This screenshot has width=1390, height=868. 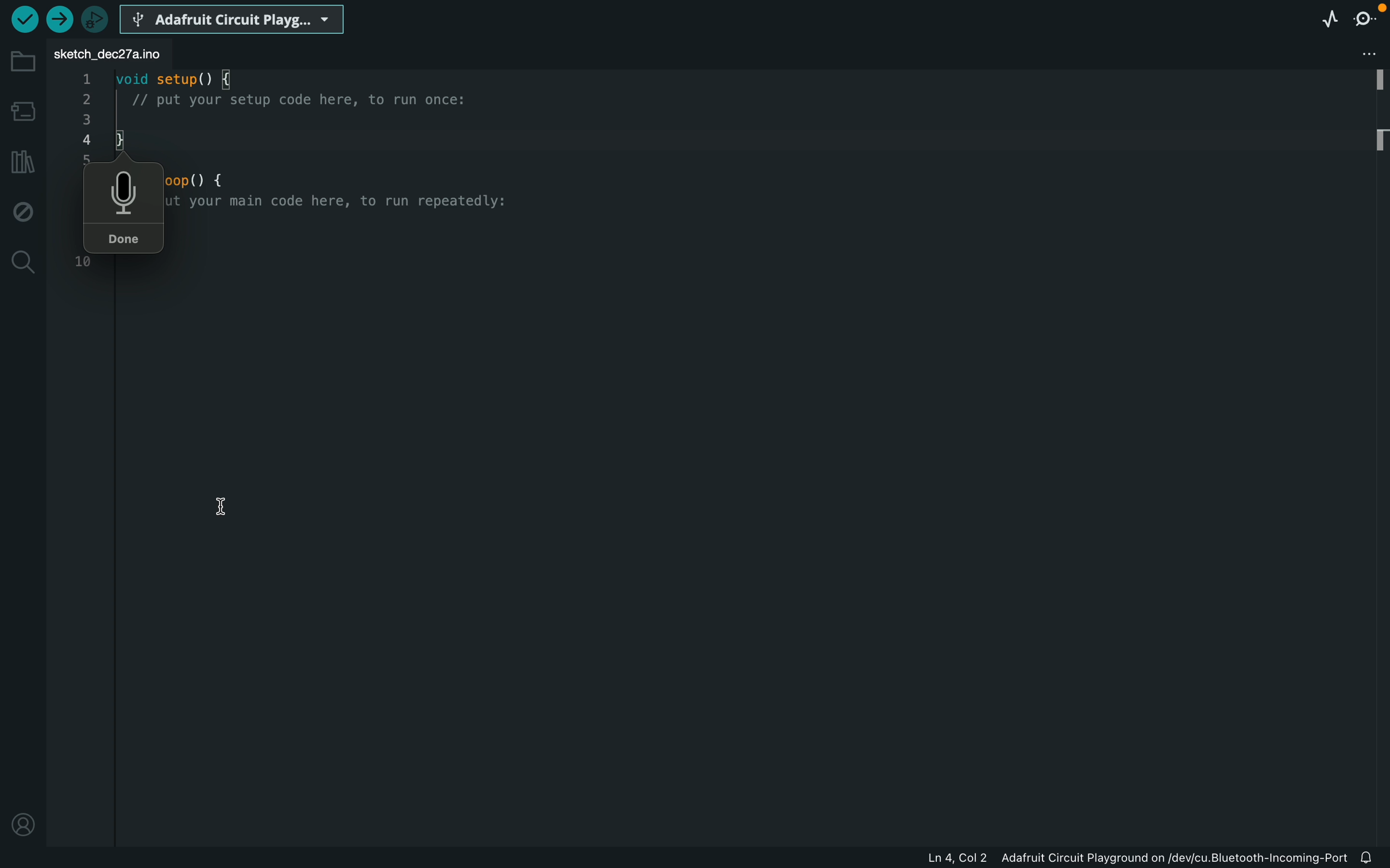 I want to click on verify, so click(x=63, y=18).